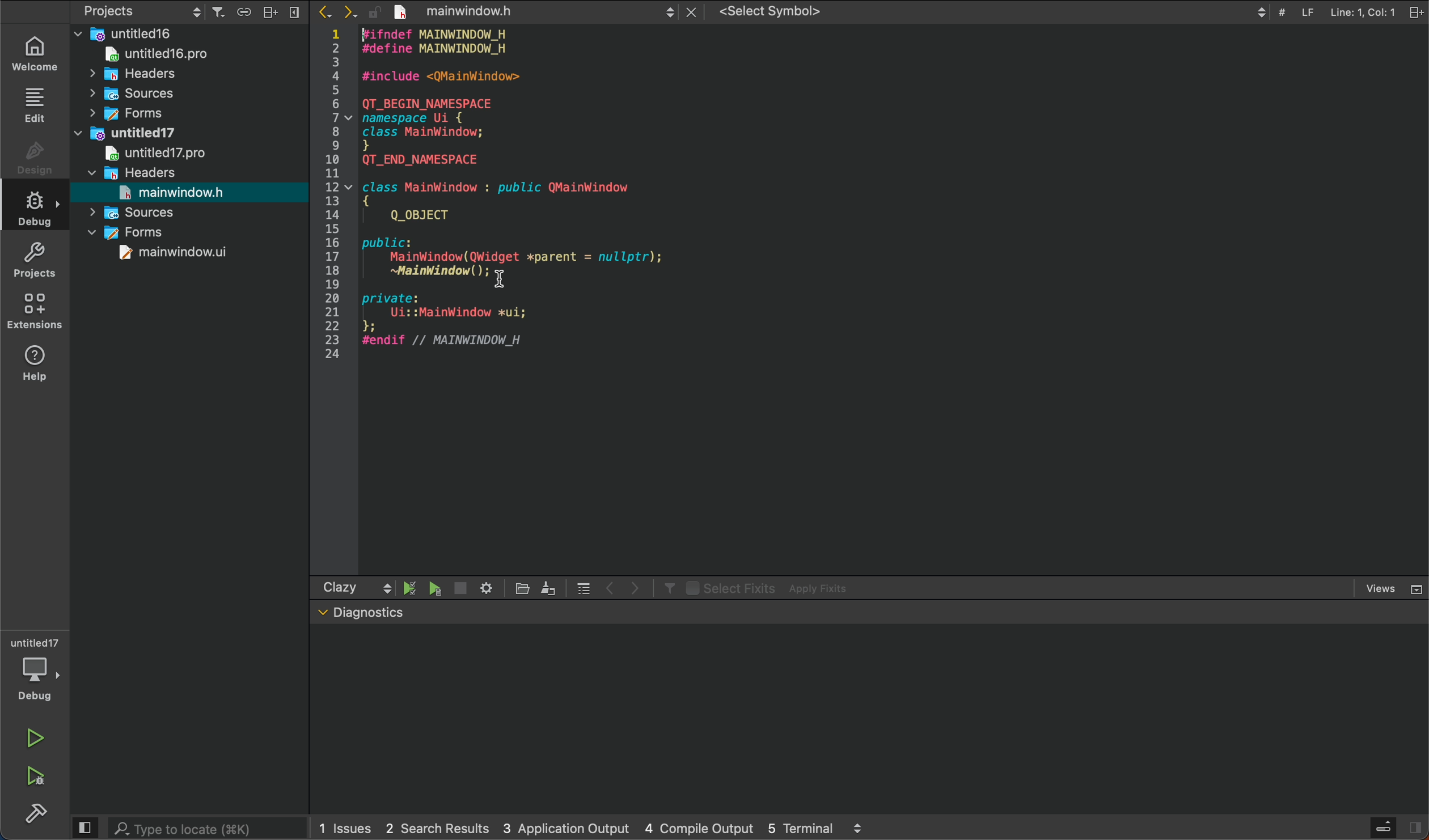 The height and width of the screenshot is (840, 1429). I want to click on Select Symbol, so click(993, 11).